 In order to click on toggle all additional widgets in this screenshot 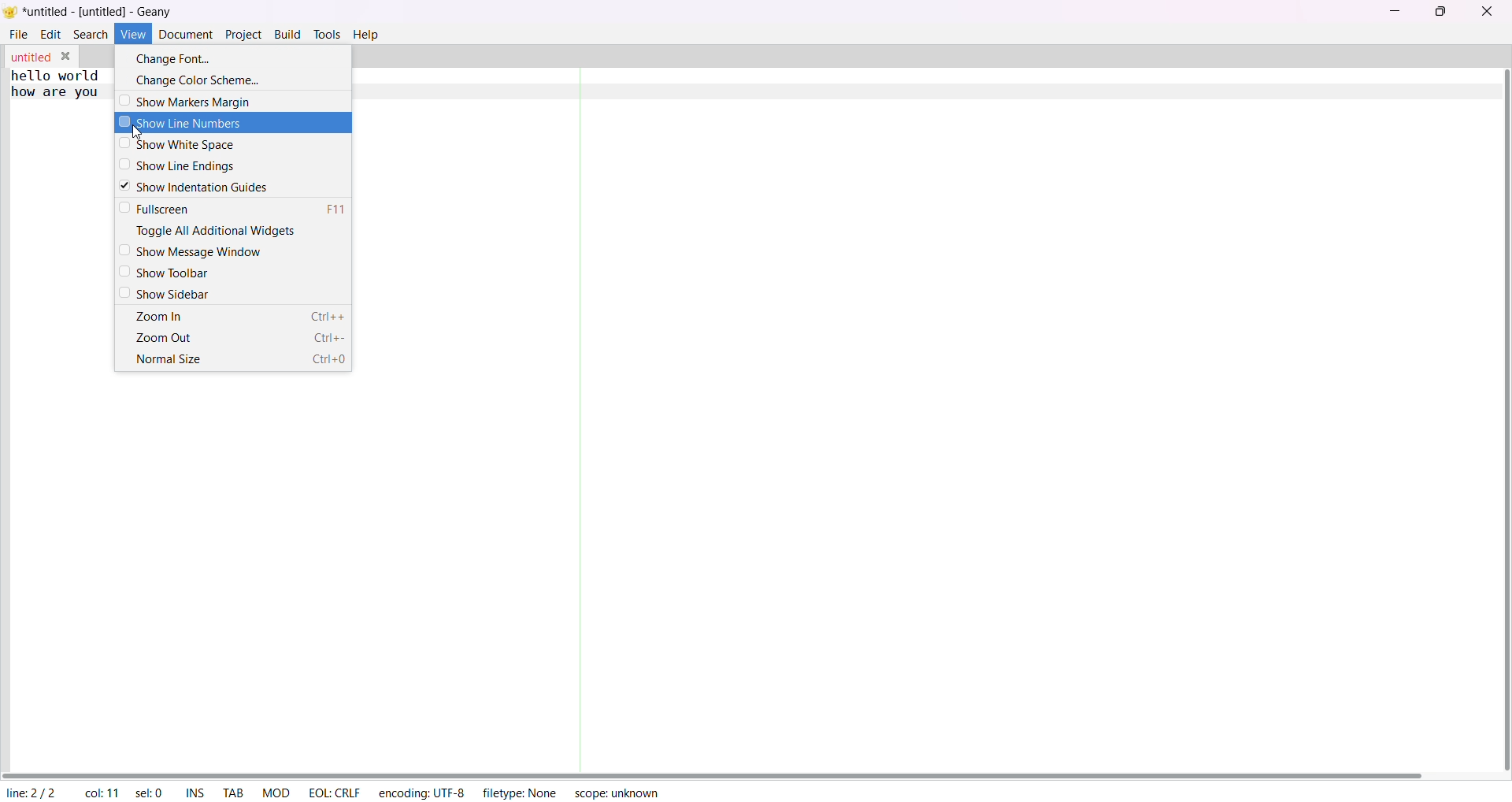, I will do `click(208, 229)`.